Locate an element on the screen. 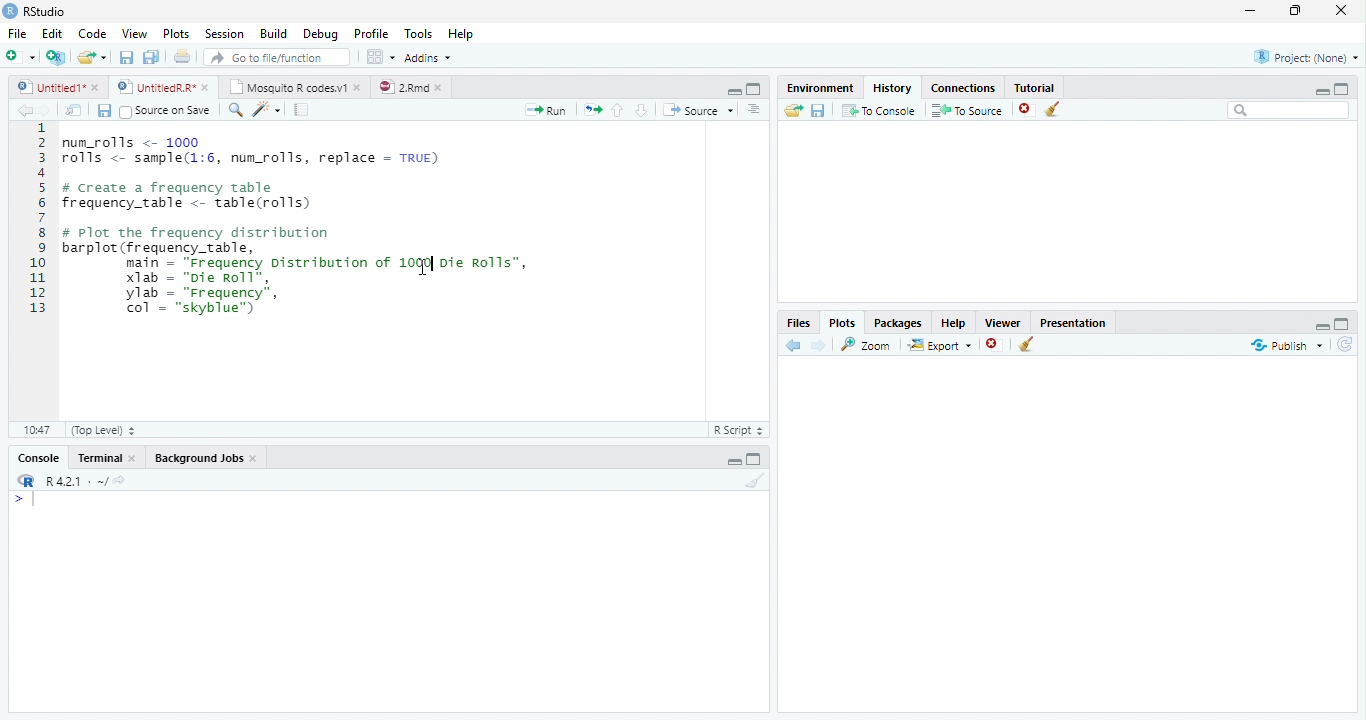  Project: (None) is located at coordinates (1305, 55).